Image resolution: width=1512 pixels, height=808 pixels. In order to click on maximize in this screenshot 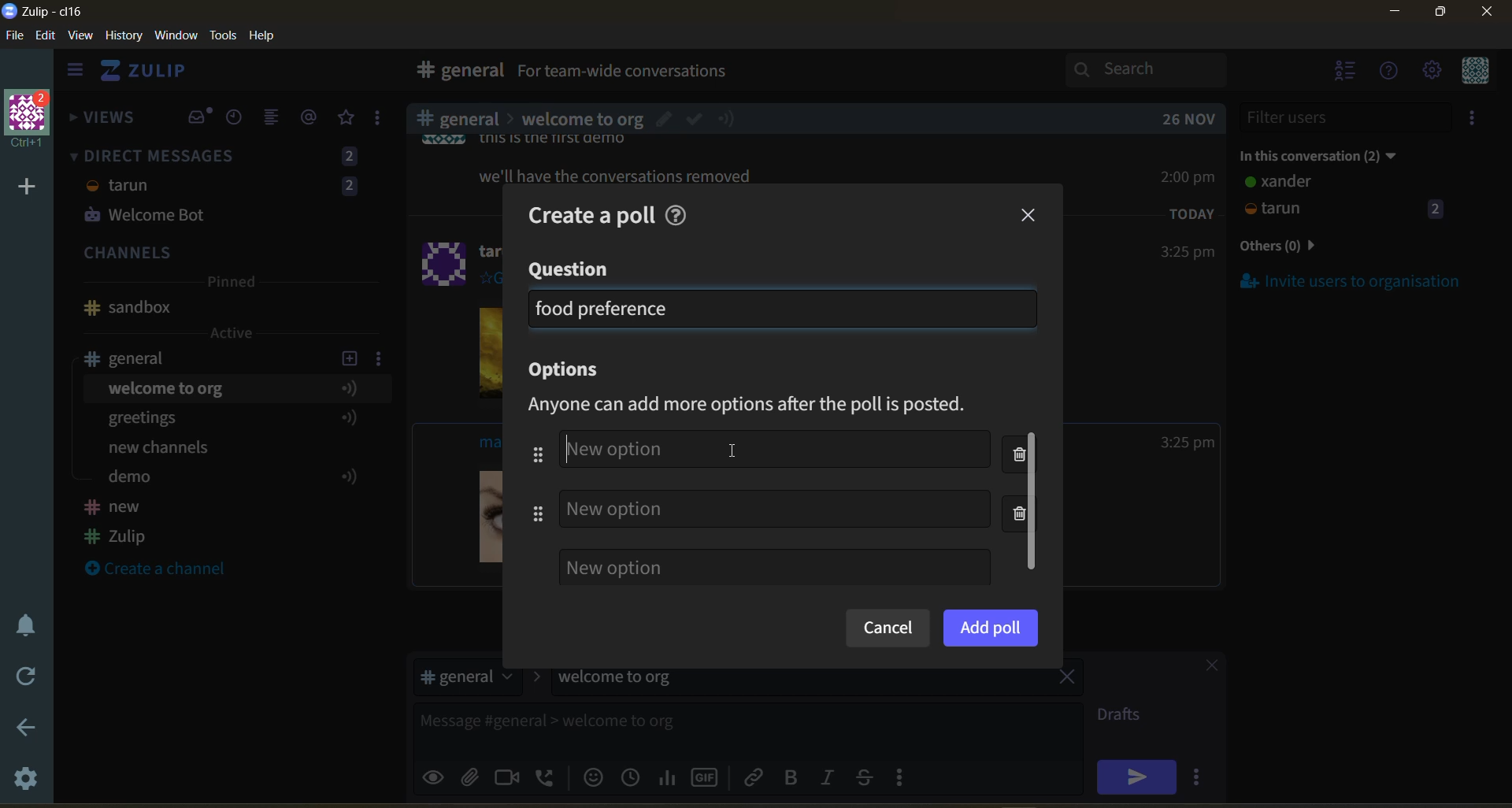, I will do `click(1437, 17)`.